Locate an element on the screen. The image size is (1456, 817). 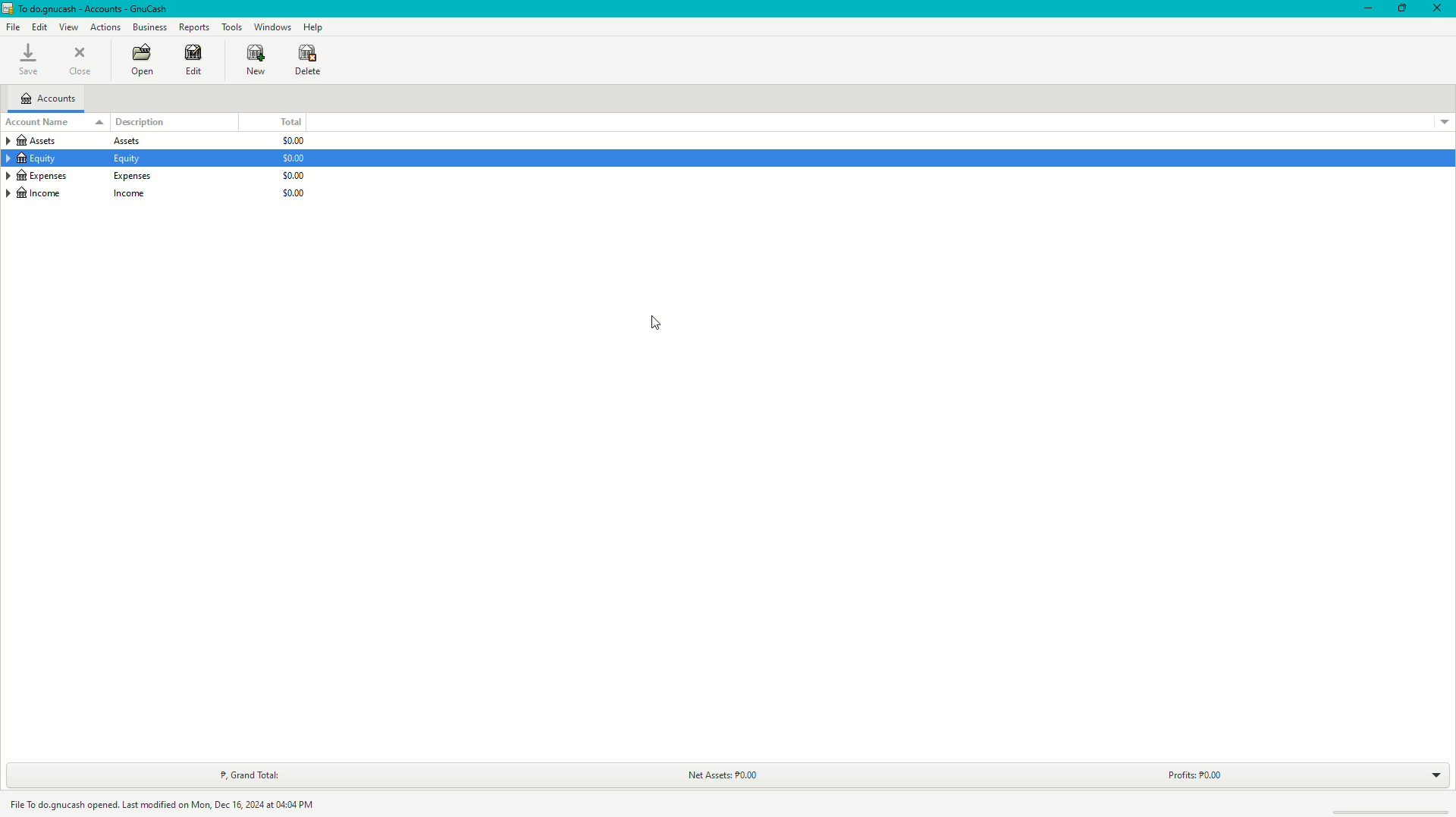
Profits is located at coordinates (1195, 773).